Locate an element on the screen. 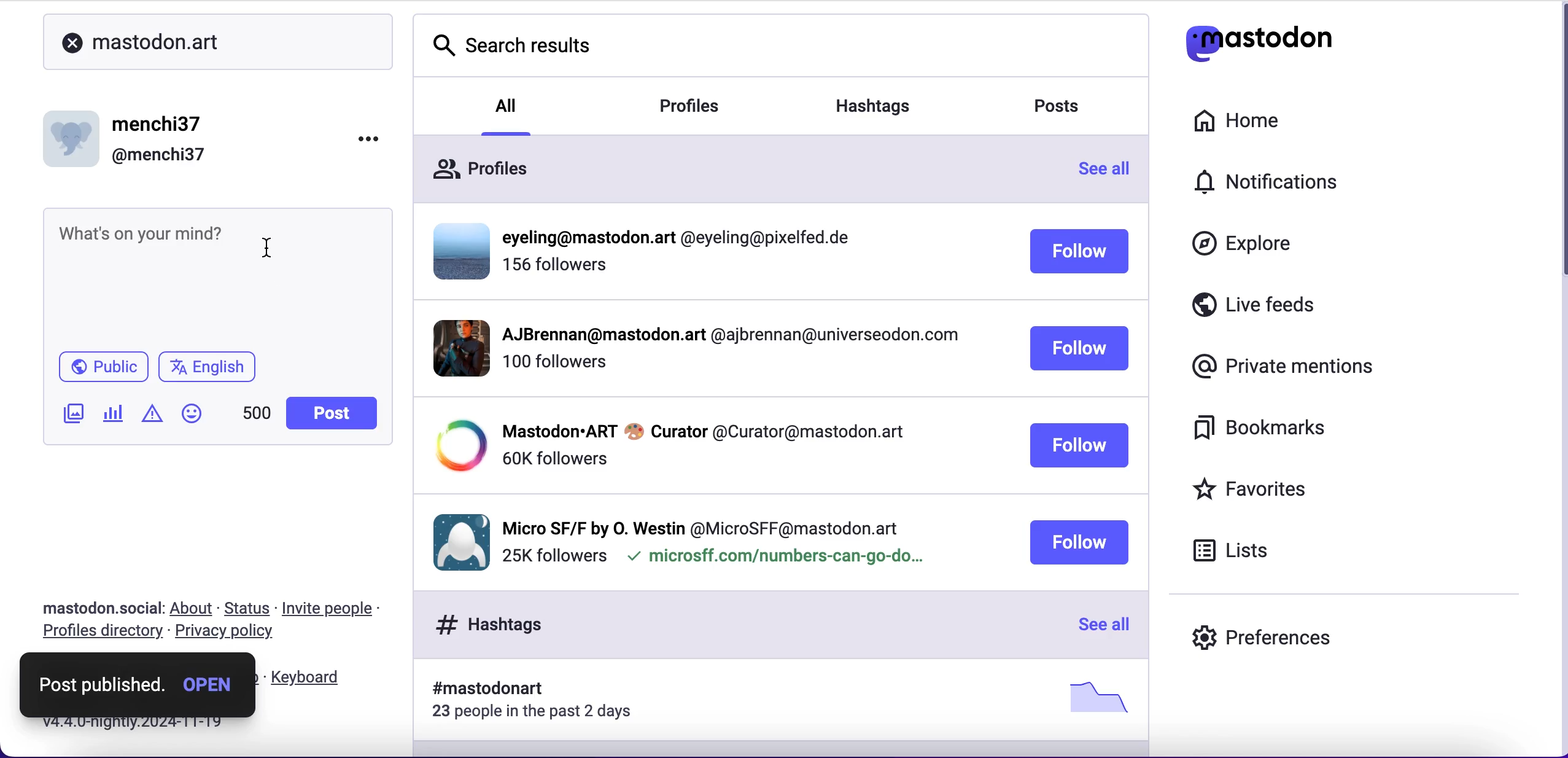 The width and height of the screenshot is (1568, 758). status is located at coordinates (248, 608).